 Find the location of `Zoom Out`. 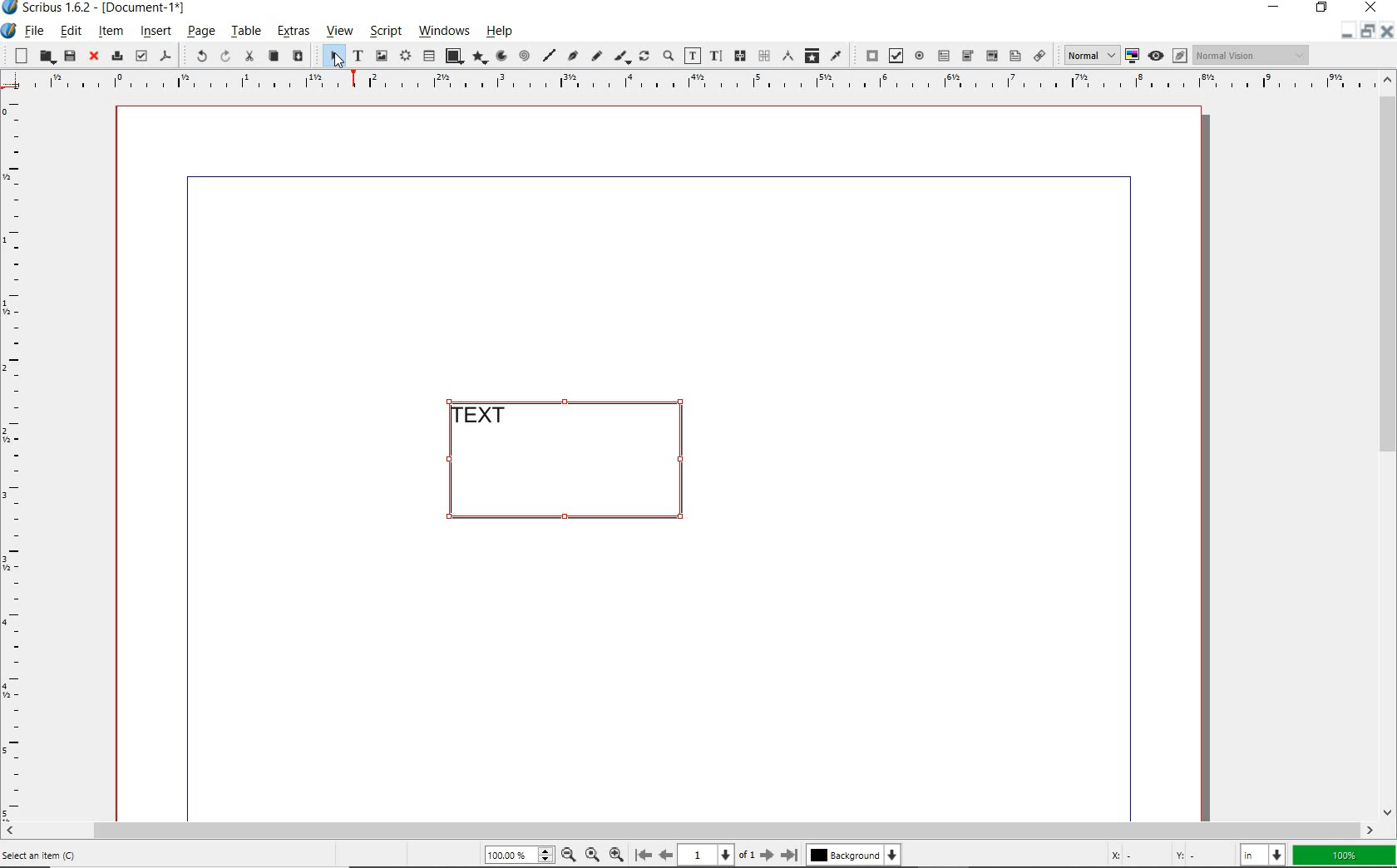

Zoom Out is located at coordinates (570, 856).